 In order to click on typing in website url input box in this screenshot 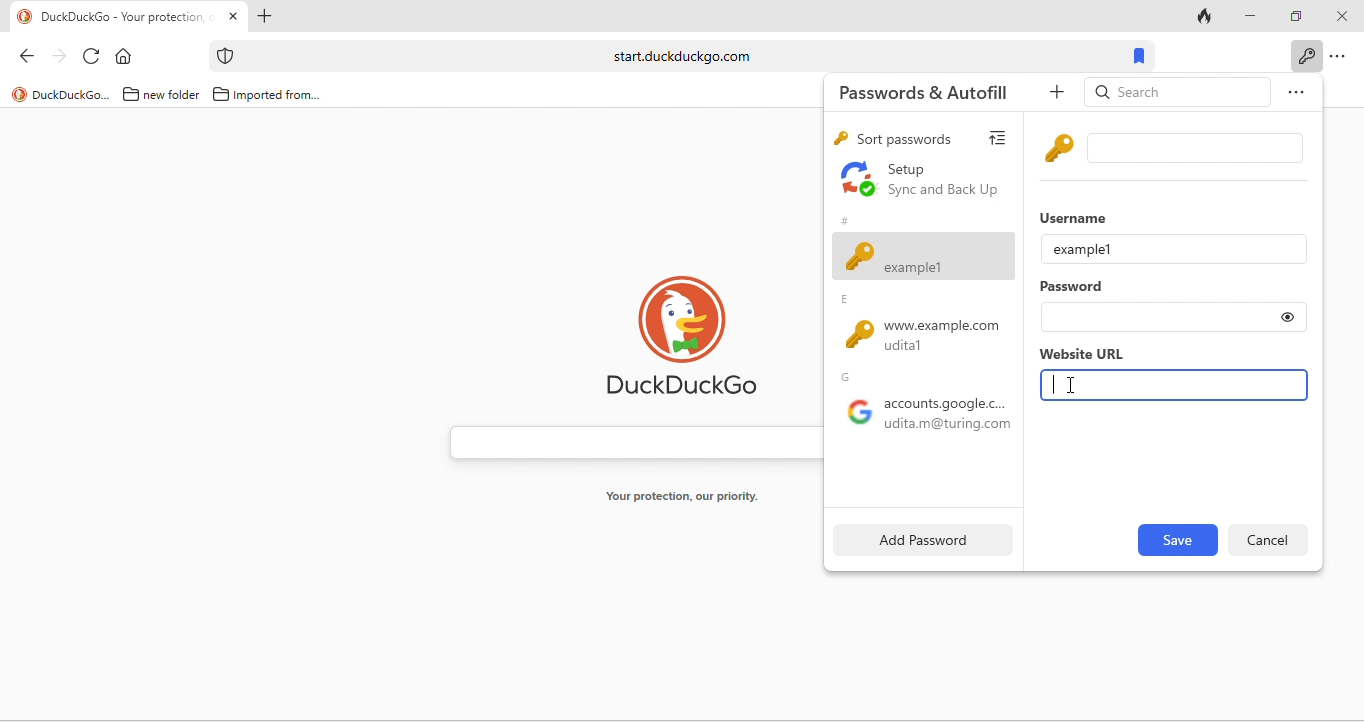, I will do `click(1175, 386)`.